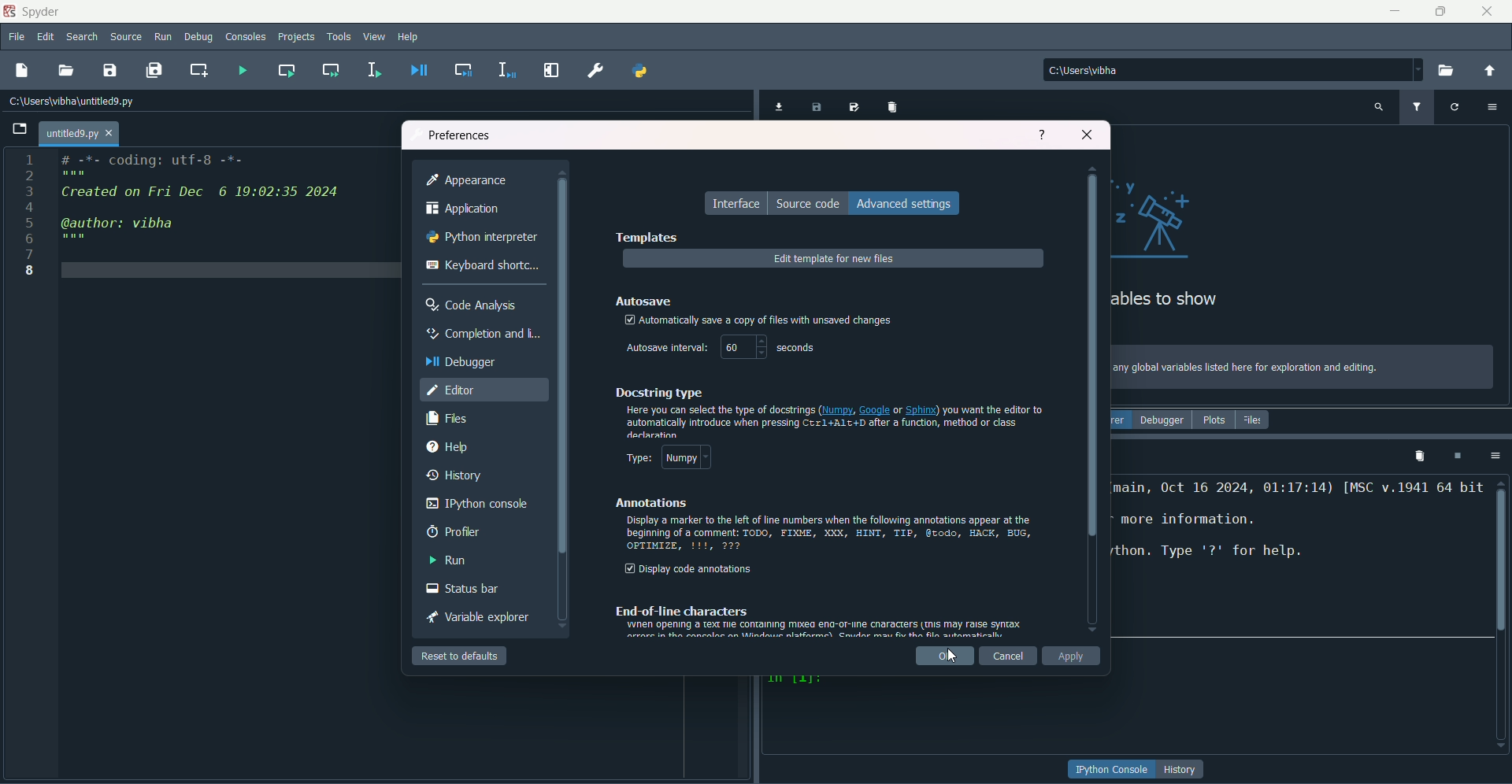 The image size is (1512, 784). Describe the element at coordinates (409, 38) in the screenshot. I see `help` at that location.